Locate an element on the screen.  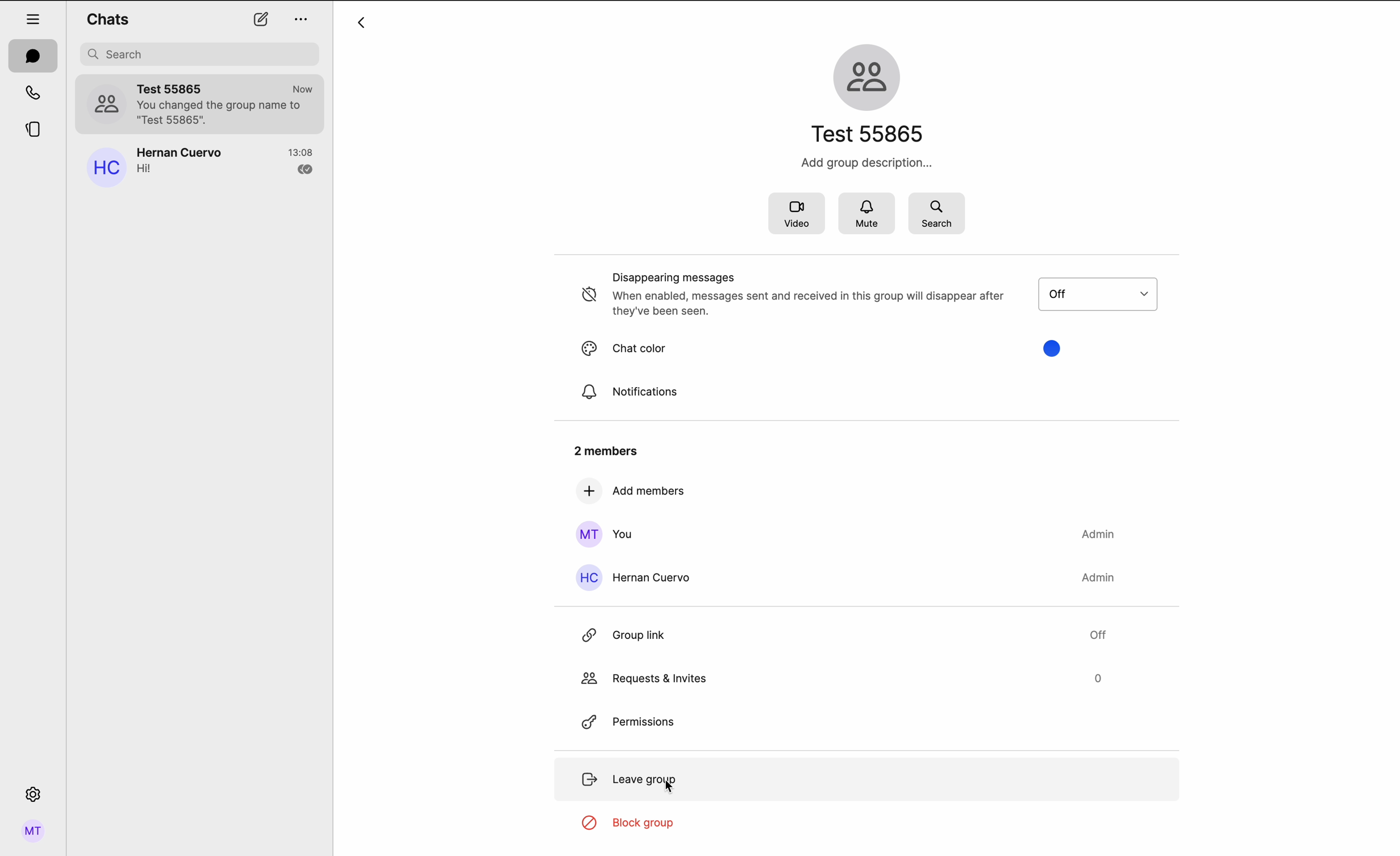
2 members is located at coordinates (603, 449).